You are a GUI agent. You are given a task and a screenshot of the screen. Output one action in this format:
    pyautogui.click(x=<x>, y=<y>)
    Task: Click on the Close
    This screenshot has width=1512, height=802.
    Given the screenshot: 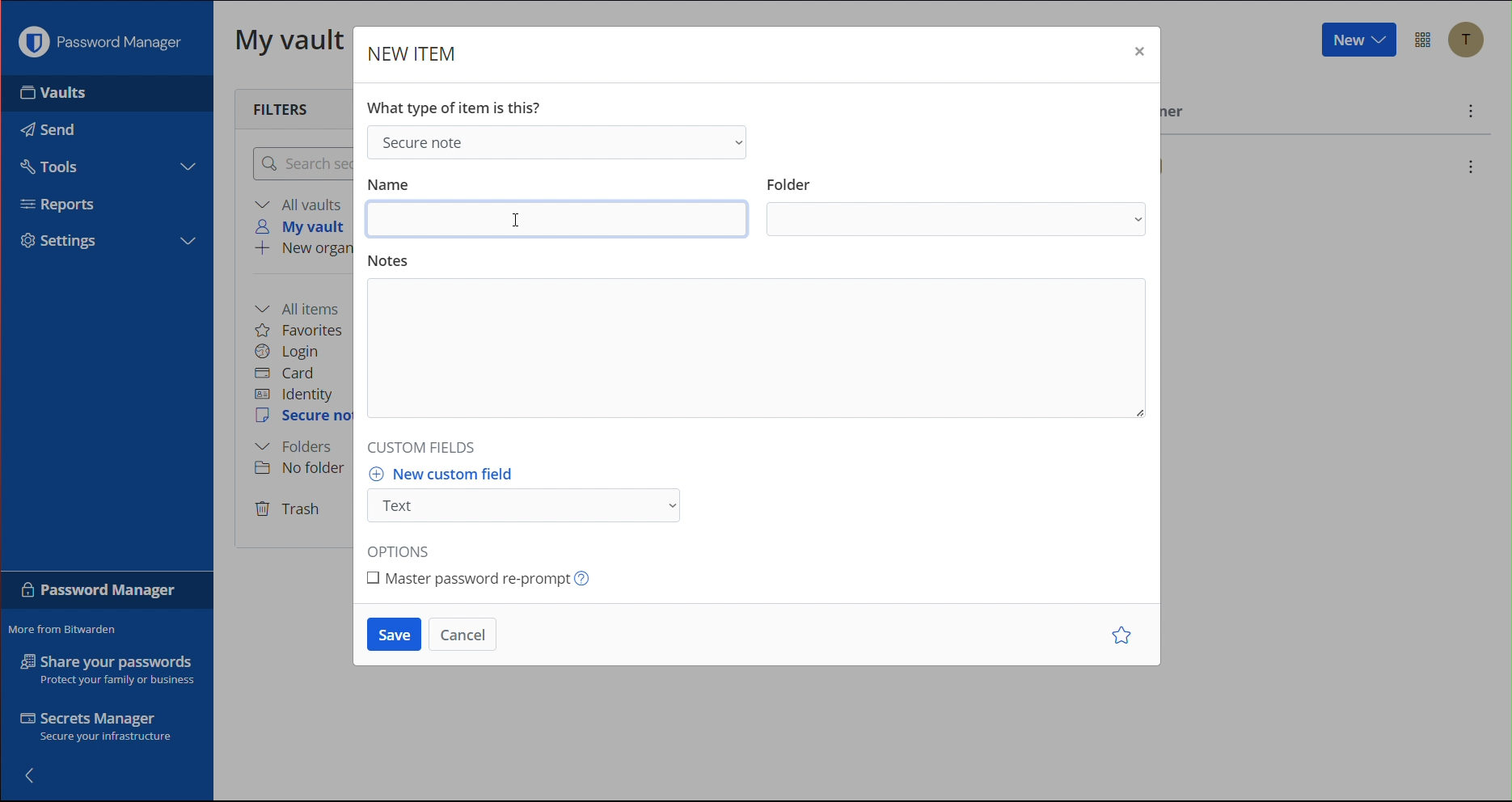 What is the action you would take?
    pyautogui.click(x=1138, y=55)
    